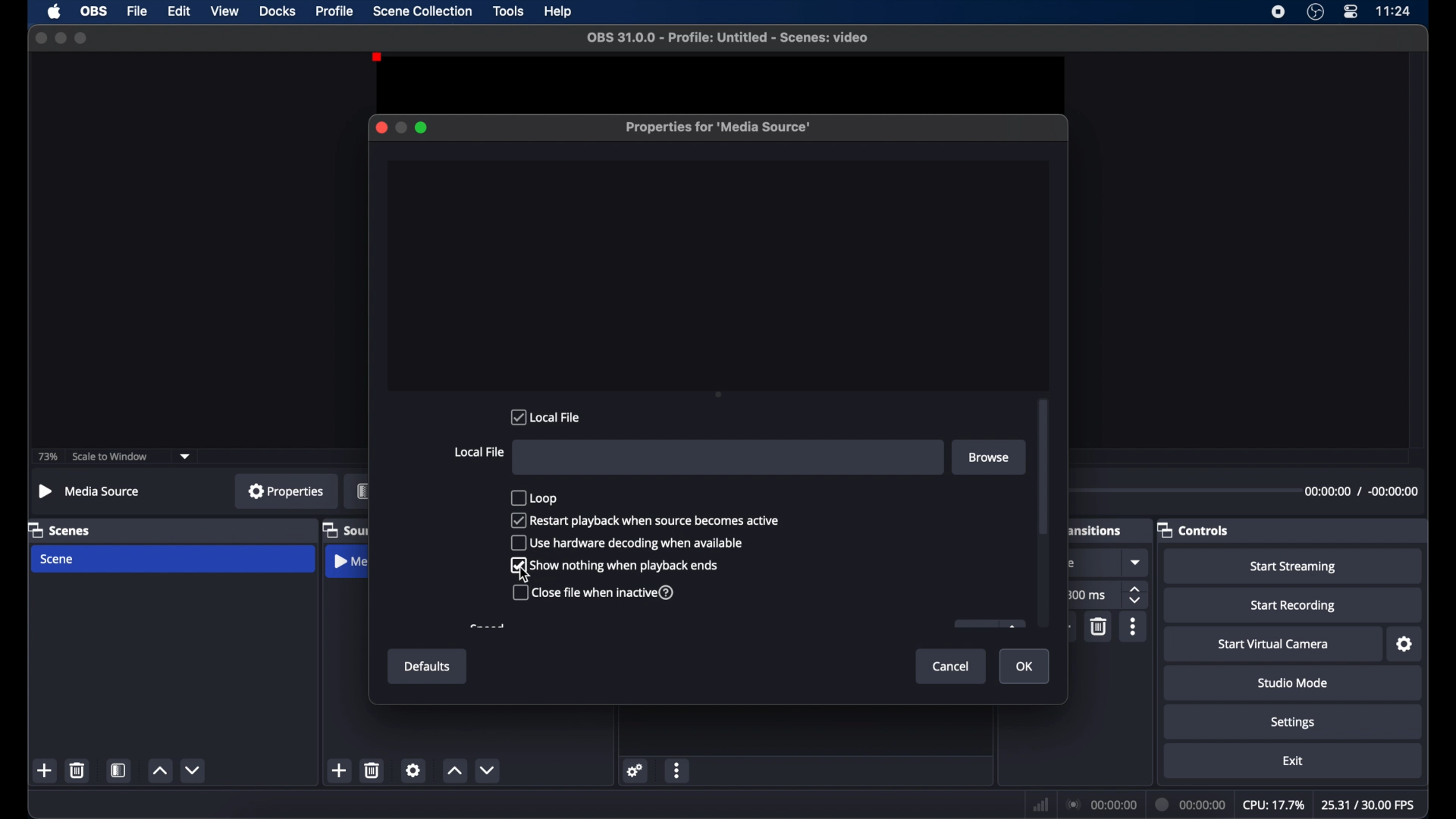 This screenshot has width=1456, height=819. I want to click on show nothing when playback ends, so click(615, 566).